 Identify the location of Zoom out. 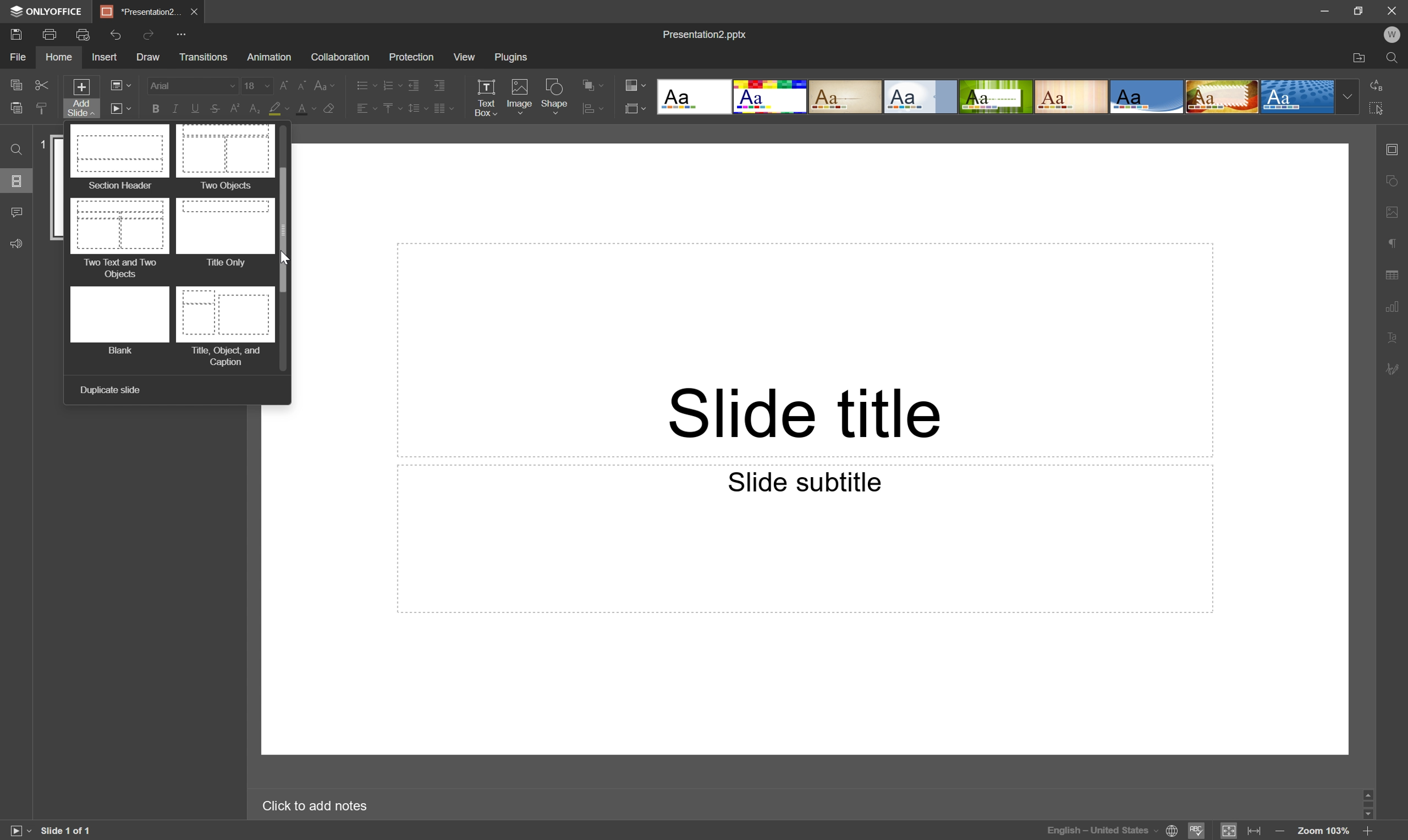
(1279, 830).